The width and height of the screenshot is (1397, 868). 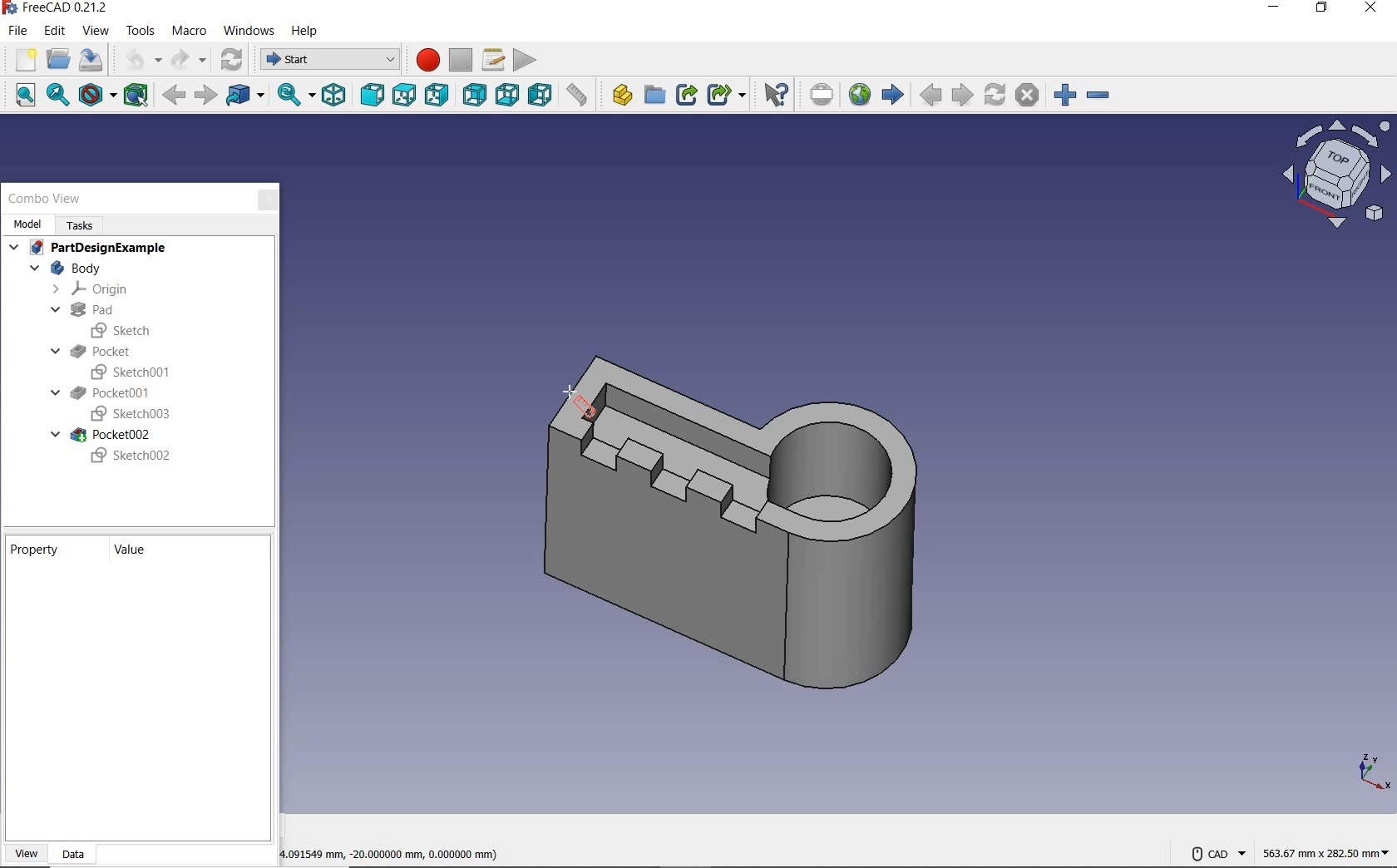 I want to click on 563.67 mm x 282.50 mm, so click(x=1325, y=851).